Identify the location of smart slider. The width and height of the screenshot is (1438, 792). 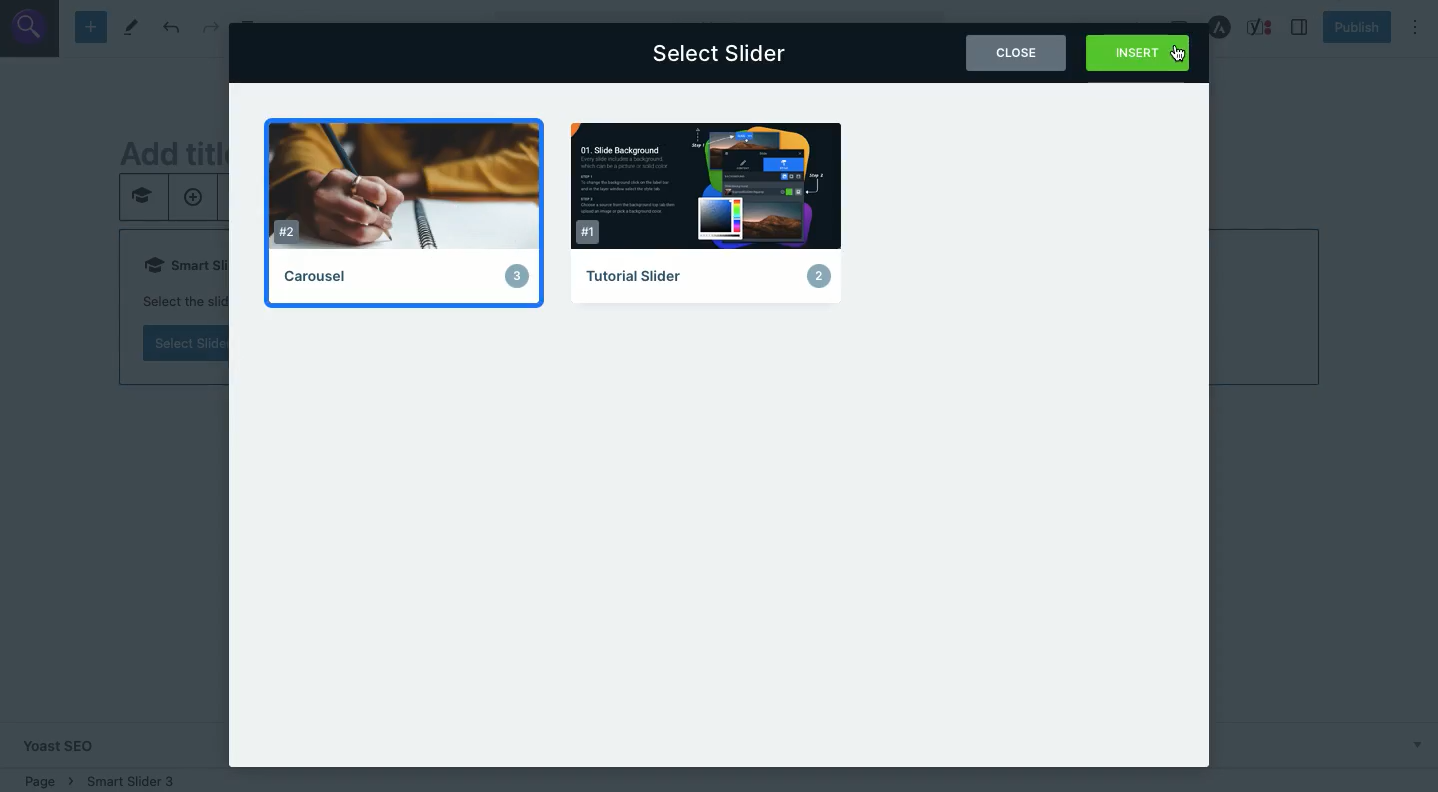
(141, 196).